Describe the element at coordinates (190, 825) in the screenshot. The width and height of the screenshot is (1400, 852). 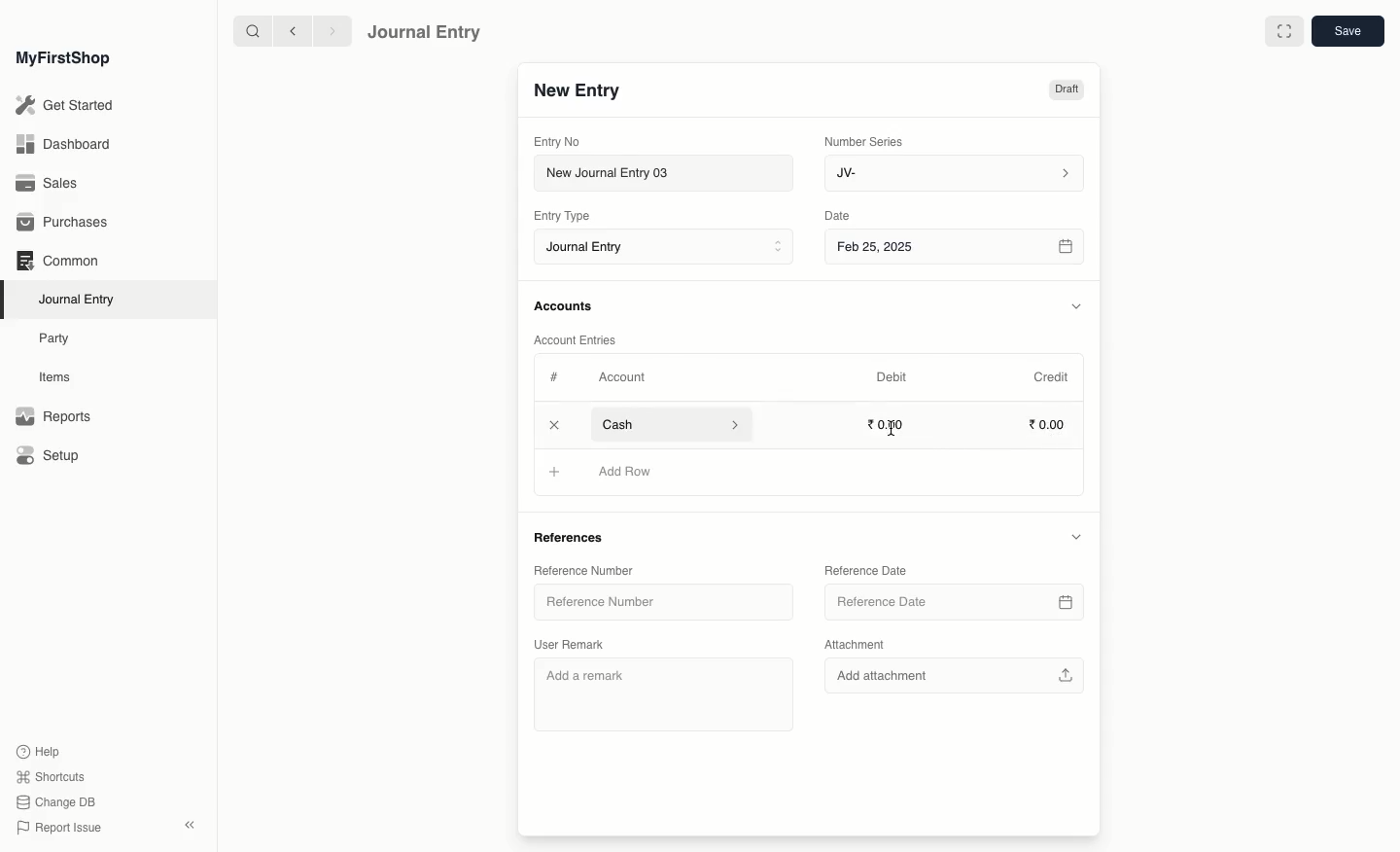
I see `Collapse` at that location.